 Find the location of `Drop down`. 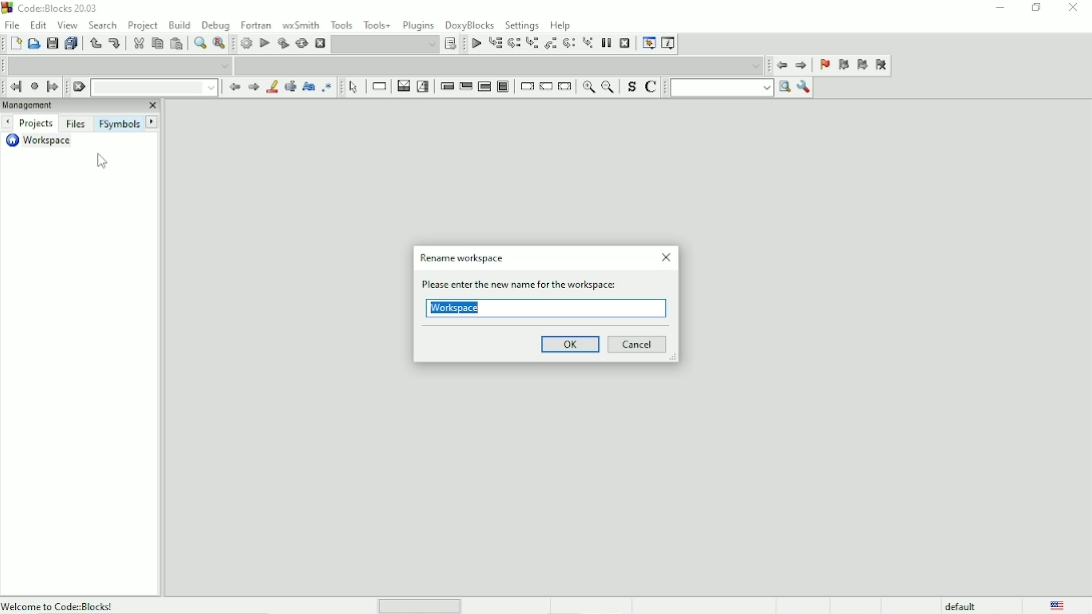

Drop down is located at coordinates (120, 65).